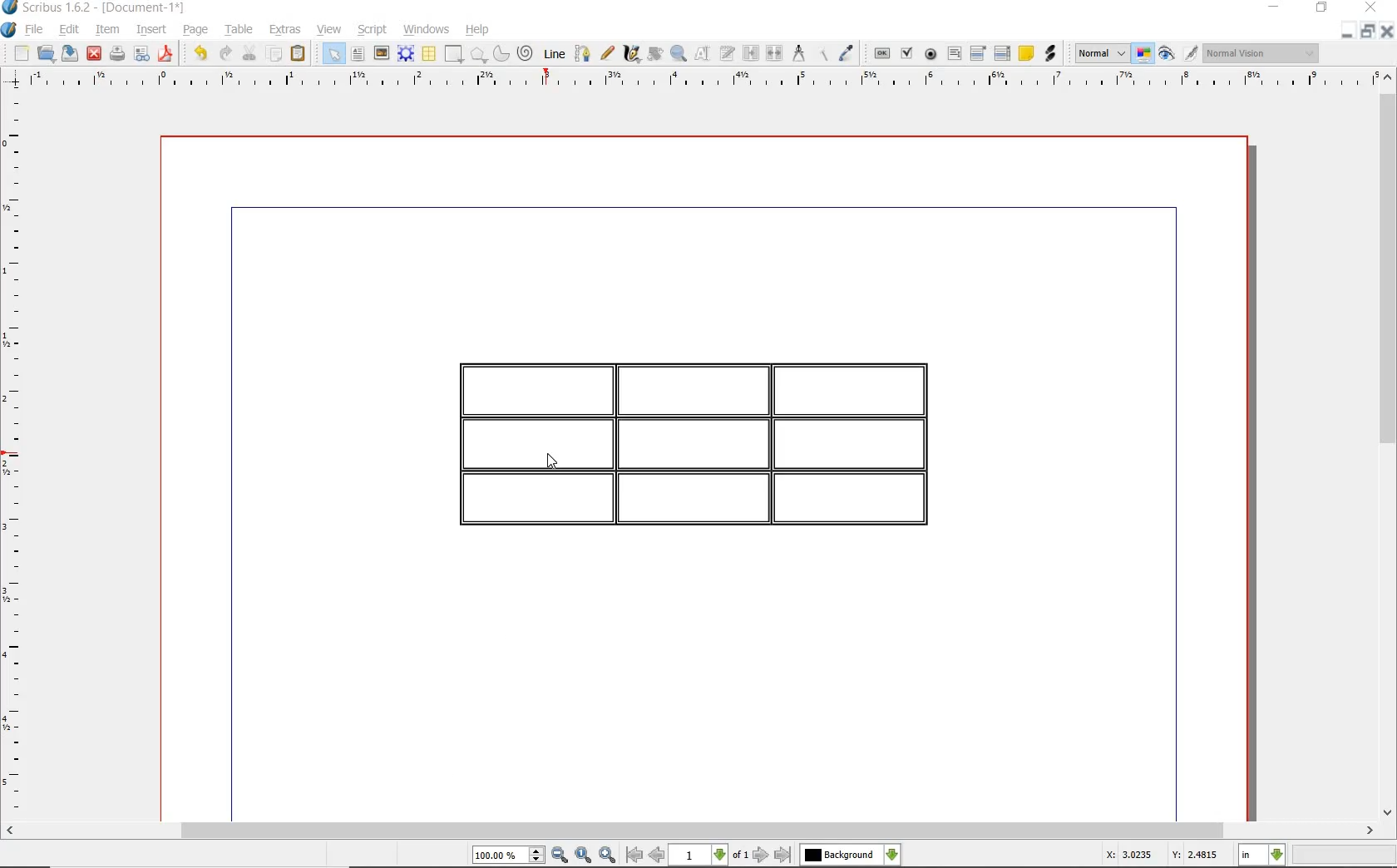 The width and height of the screenshot is (1397, 868). What do you see at coordinates (155, 28) in the screenshot?
I see `insert` at bounding box center [155, 28].